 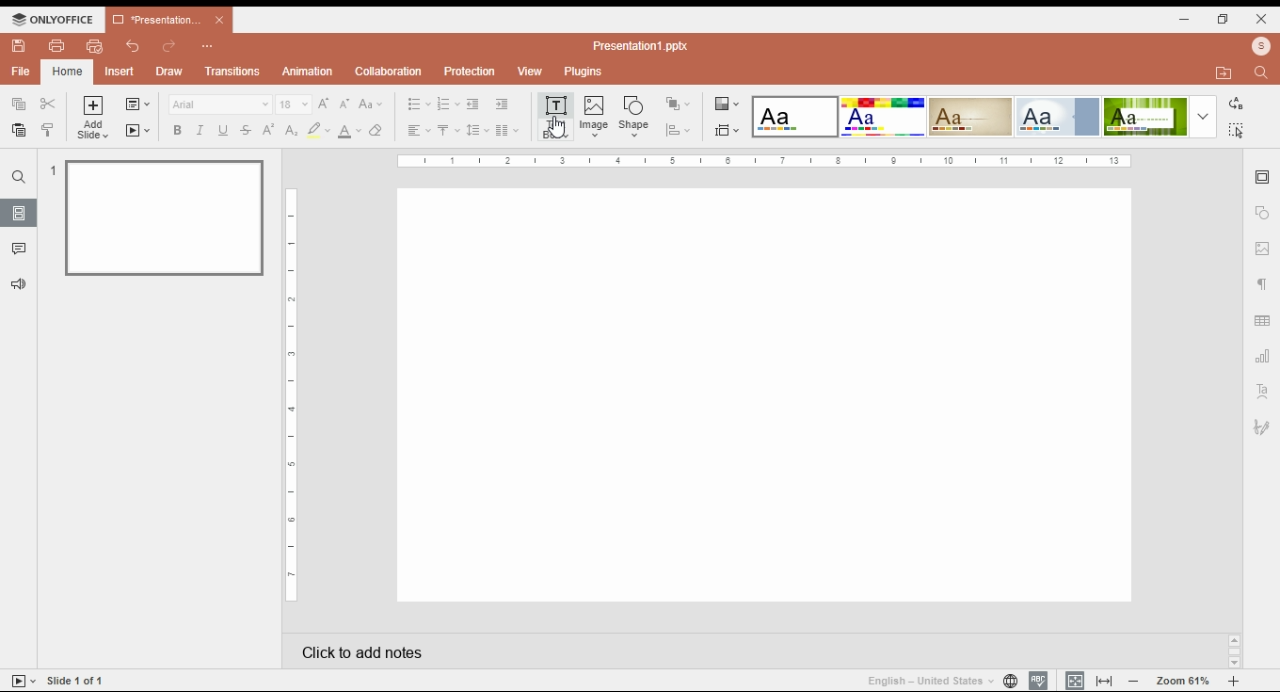 What do you see at coordinates (19, 213) in the screenshot?
I see `slide` at bounding box center [19, 213].